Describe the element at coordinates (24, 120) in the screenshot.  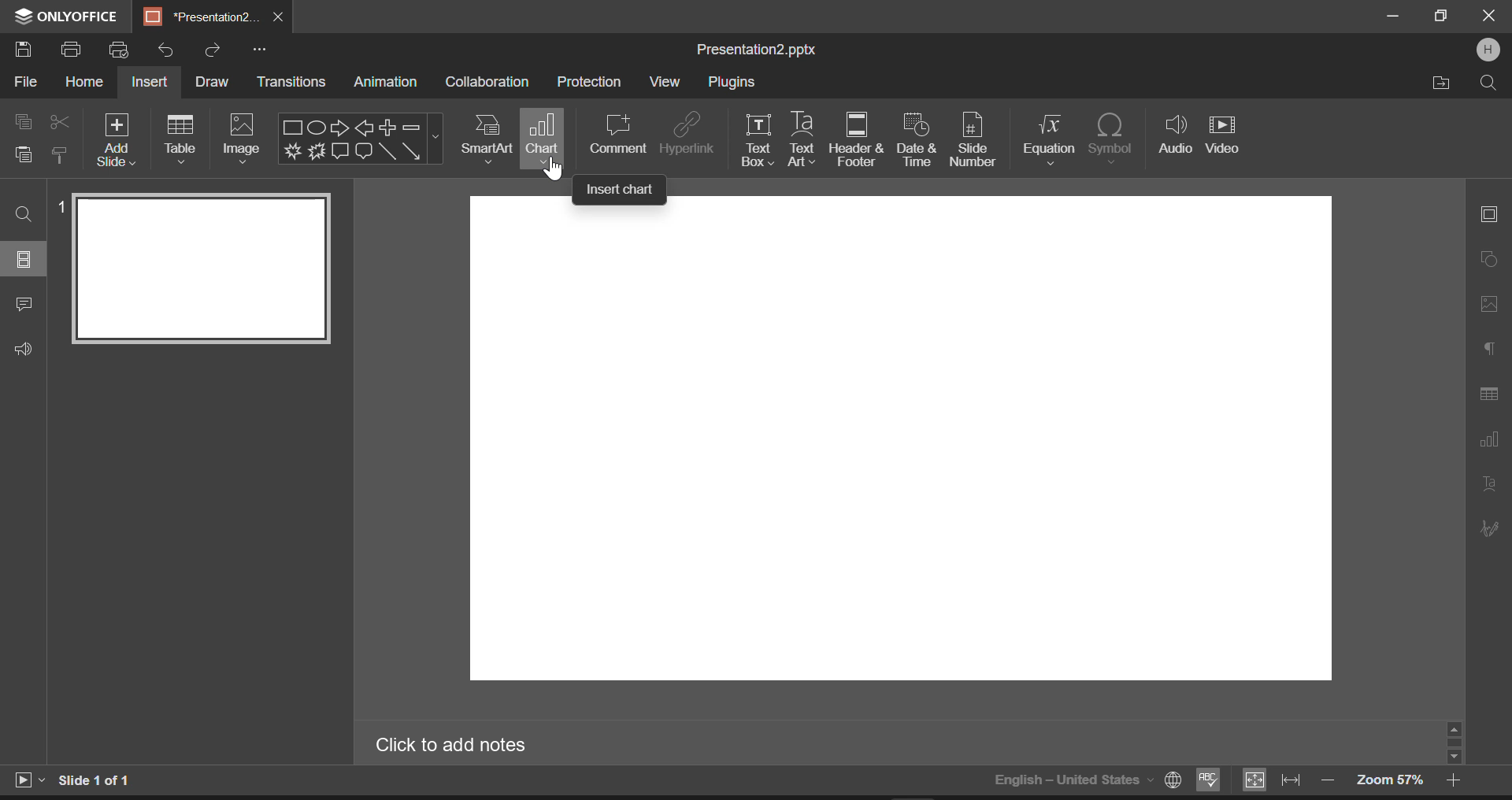
I see `Copy` at that location.